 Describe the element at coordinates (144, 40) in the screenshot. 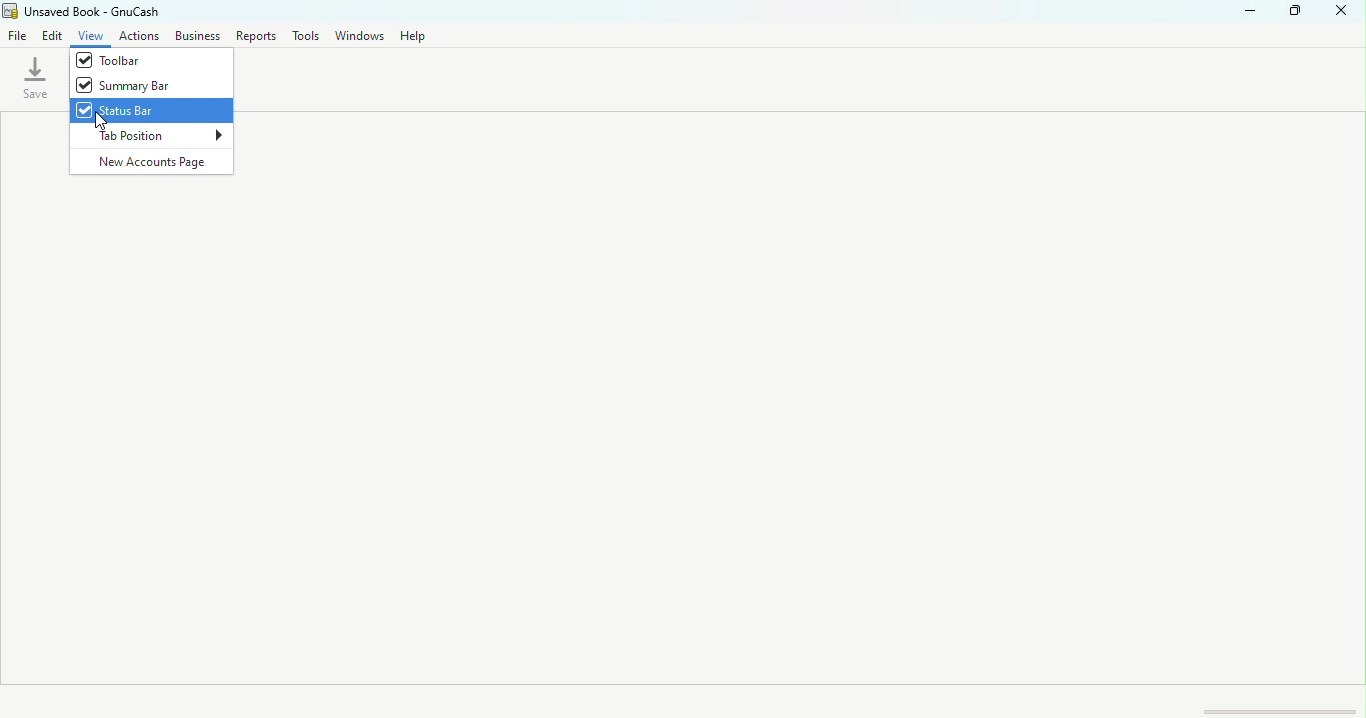

I see `Actions` at that location.